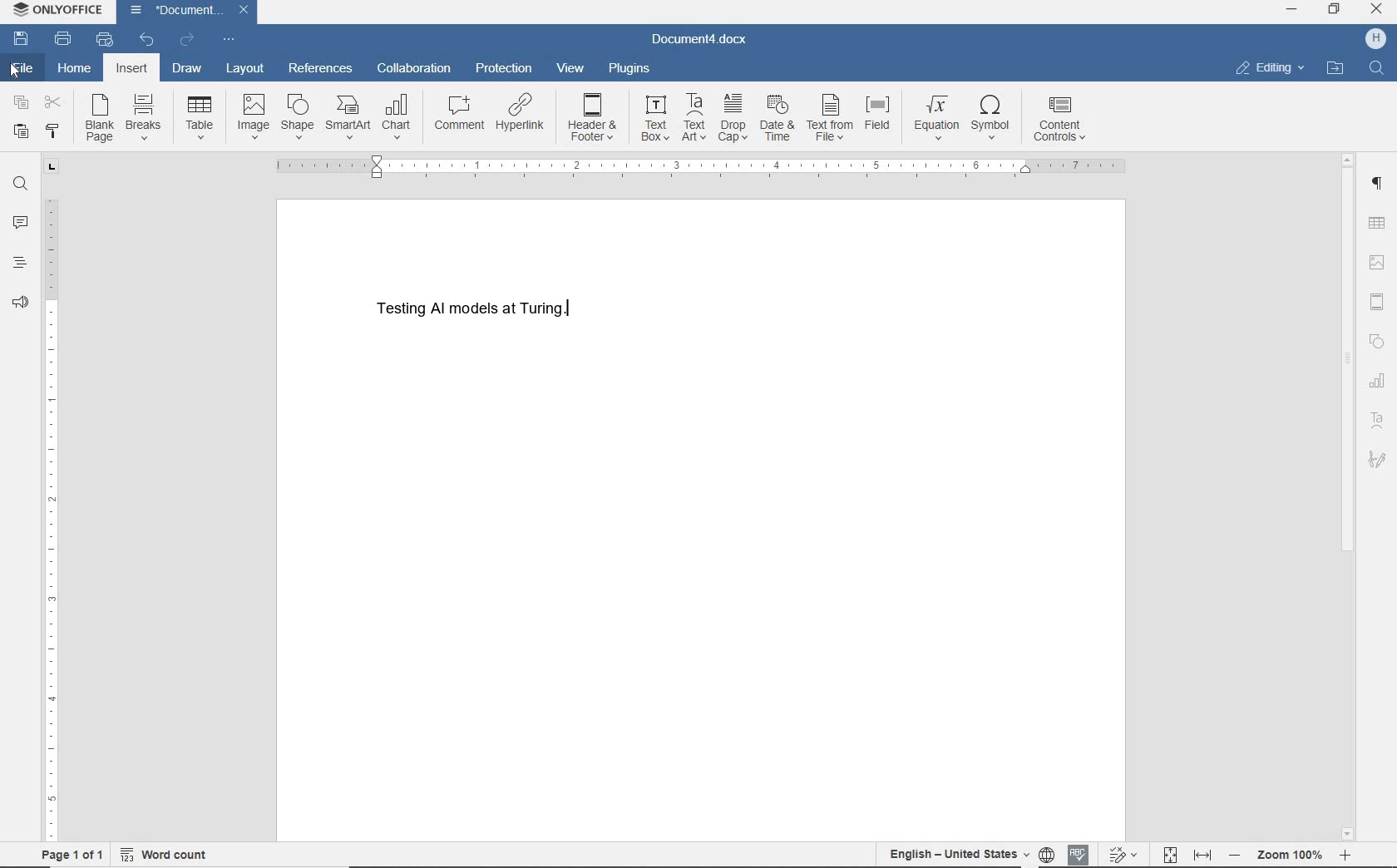 This screenshot has height=868, width=1397. Describe the element at coordinates (655, 121) in the screenshot. I see `text box` at that location.